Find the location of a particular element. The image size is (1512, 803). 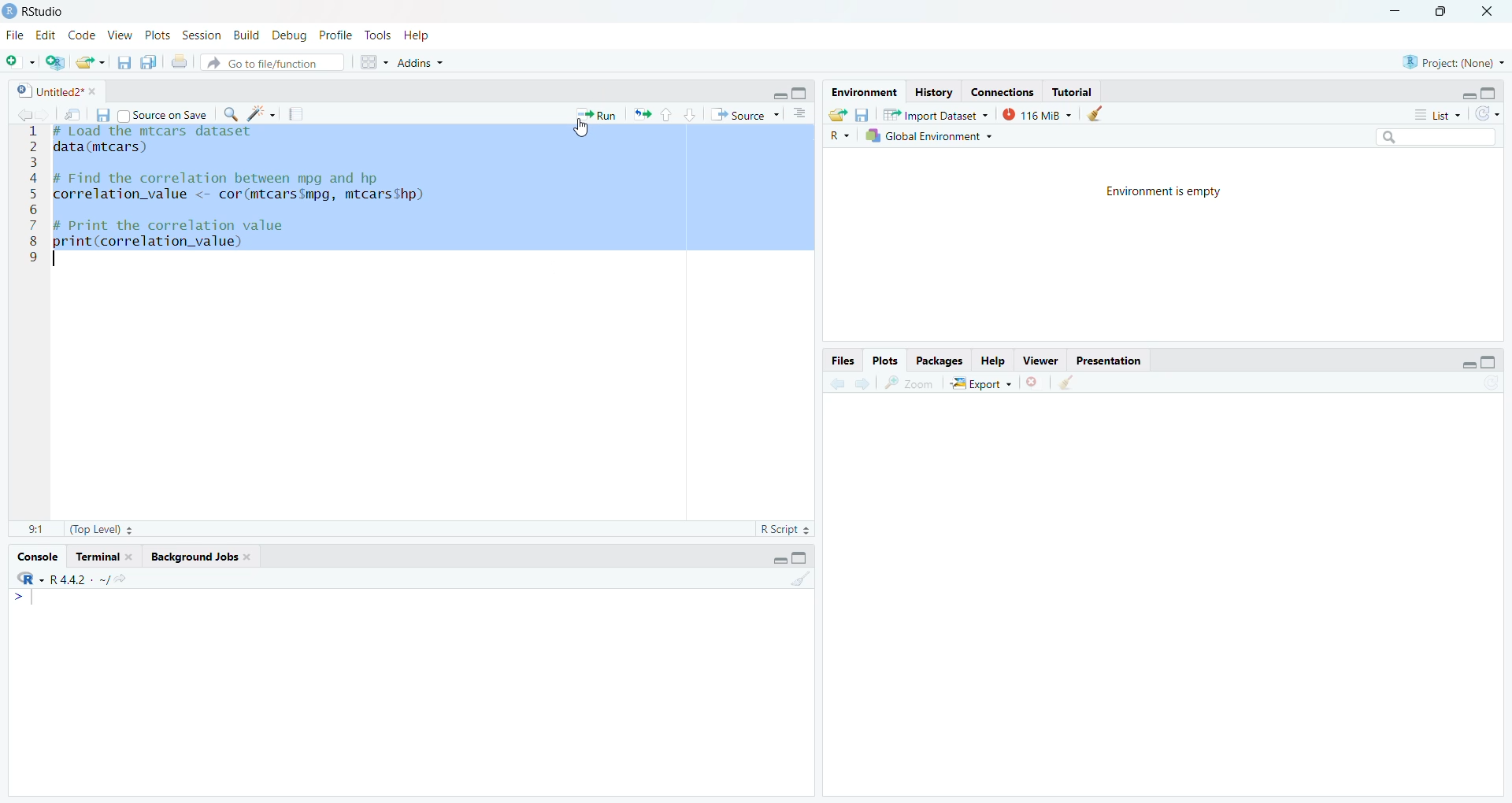

Minimize is located at coordinates (779, 94).